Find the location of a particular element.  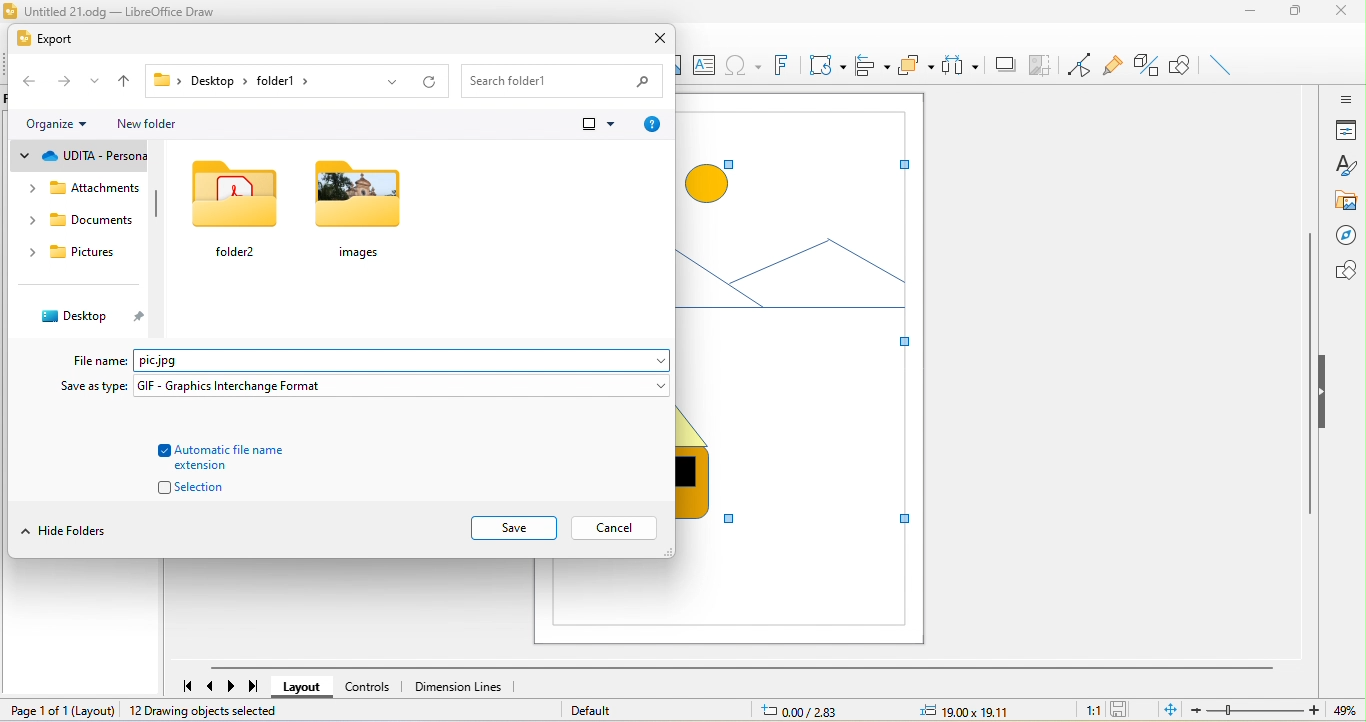

file name is located at coordinates (100, 360).